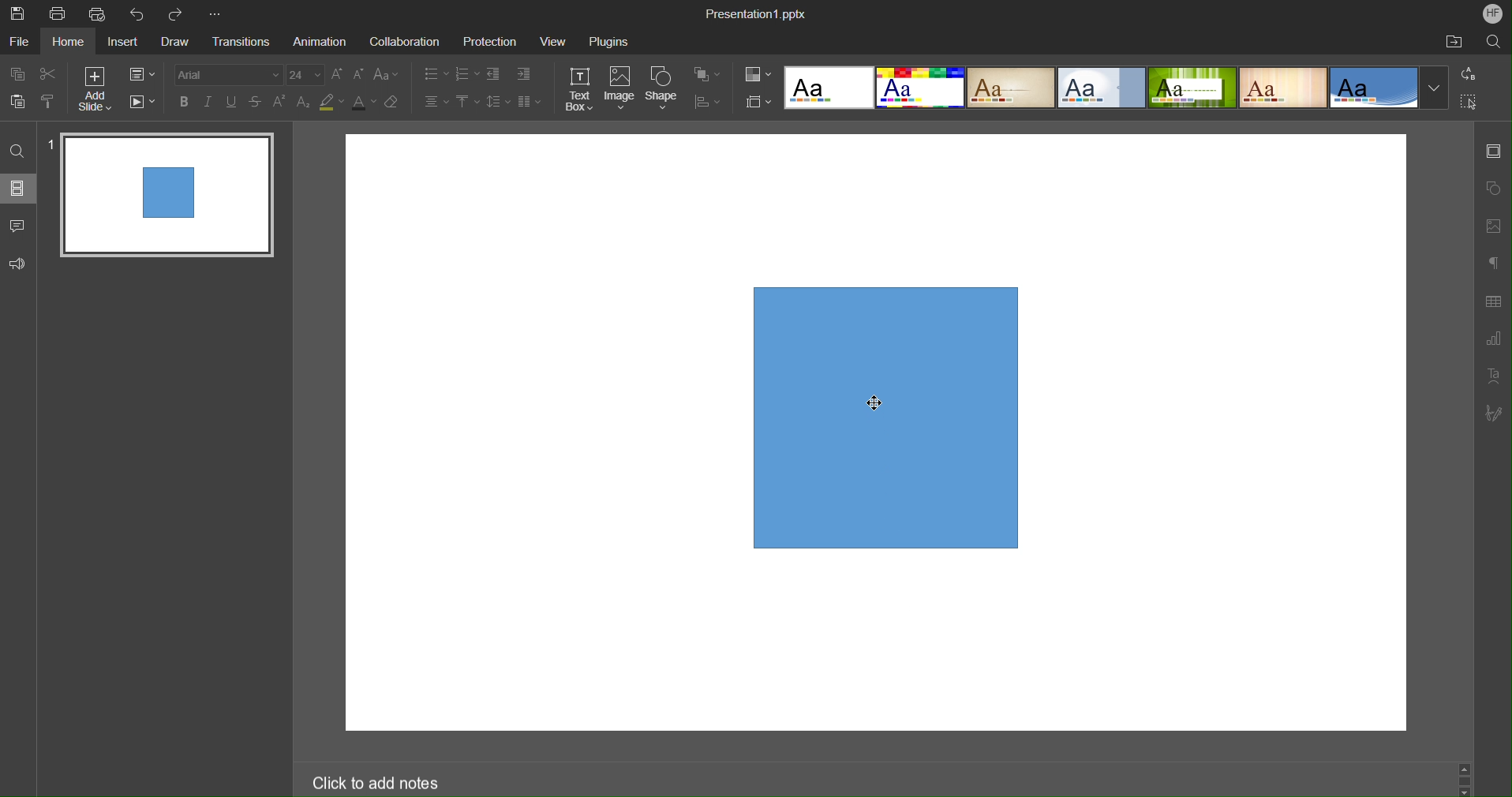 The image size is (1512, 797). Describe the element at coordinates (332, 102) in the screenshot. I see `Highlight` at that location.